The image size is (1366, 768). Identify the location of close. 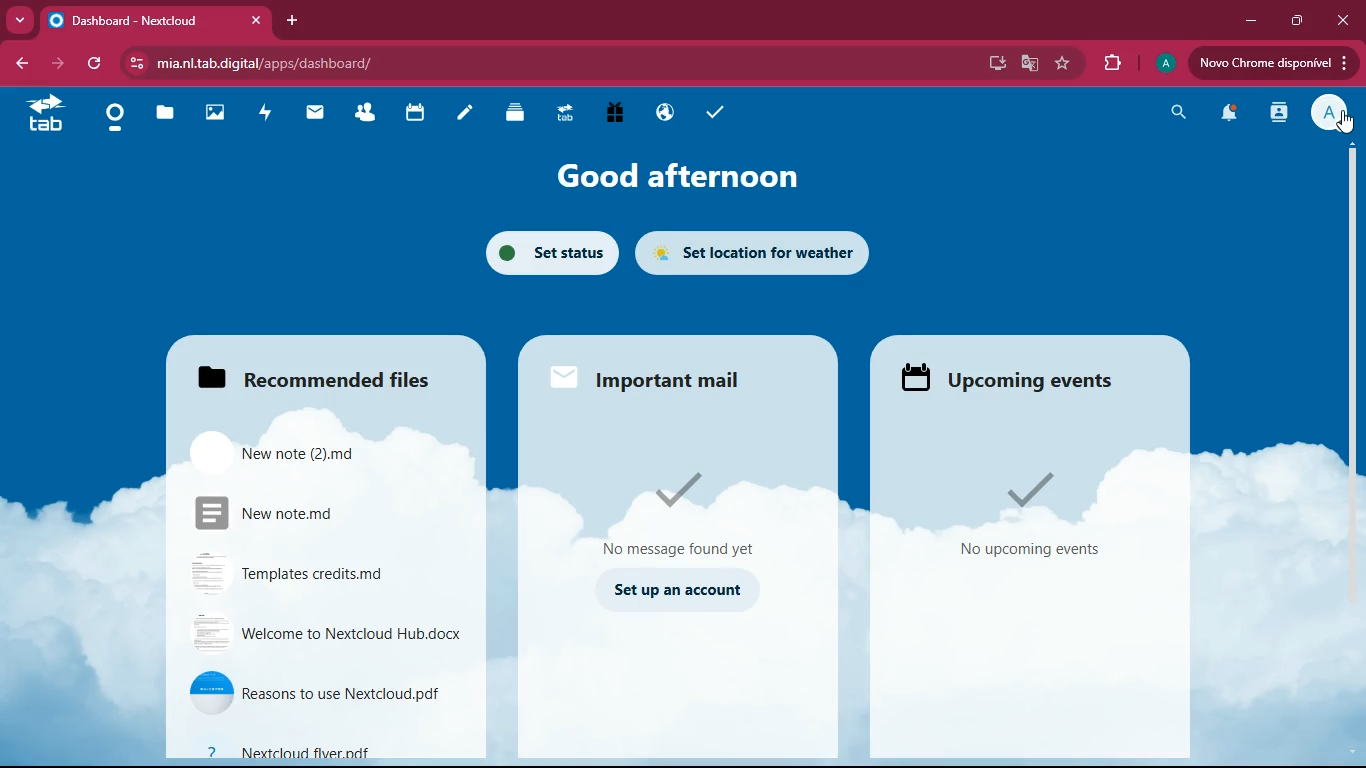
(1346, 20).